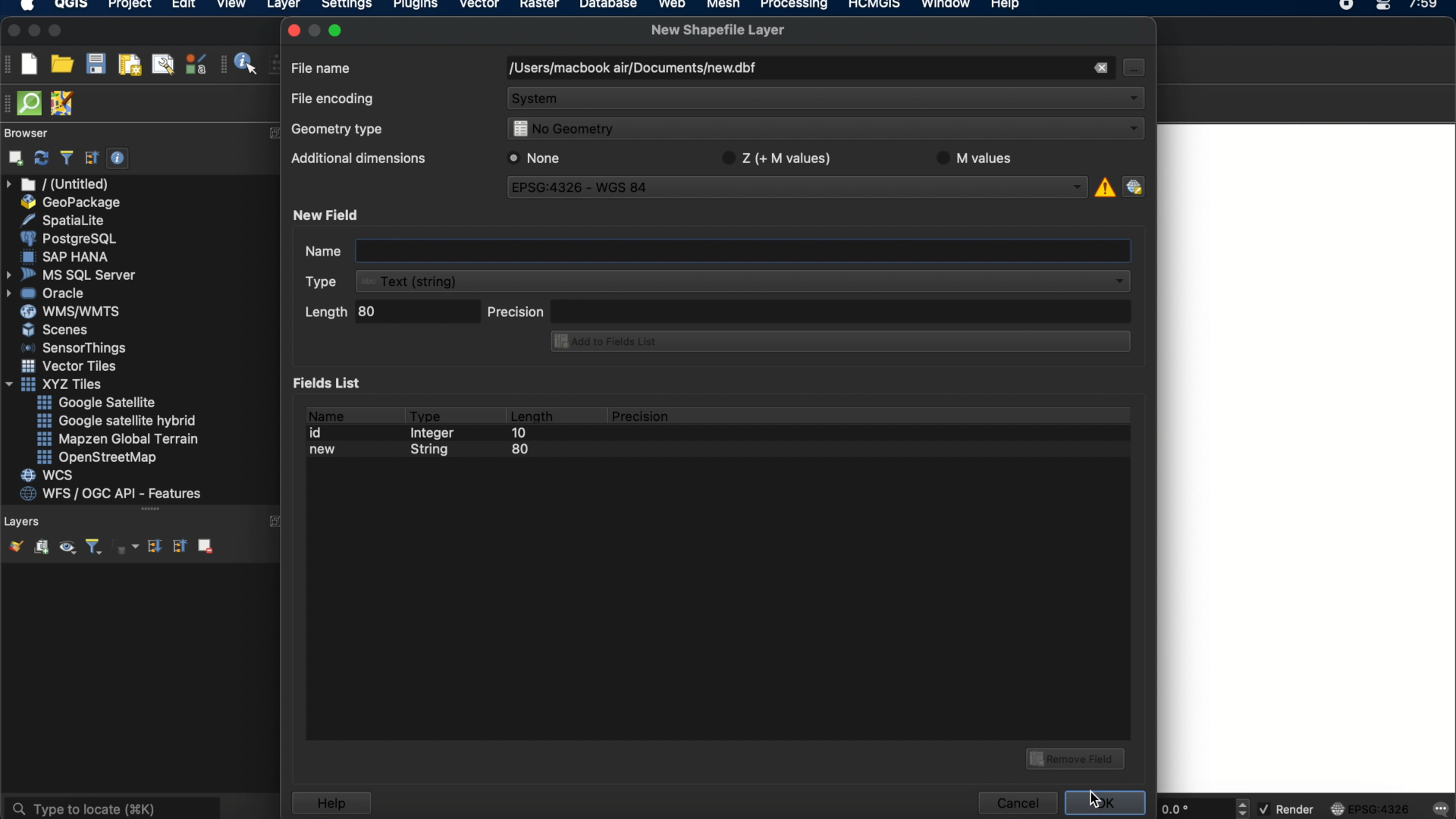 The height and width of the screenshot is (819, 1456). What do you see at coordinates (49, 476) in the screenshot?
I see `wcs` at bounding box center [49, 476].